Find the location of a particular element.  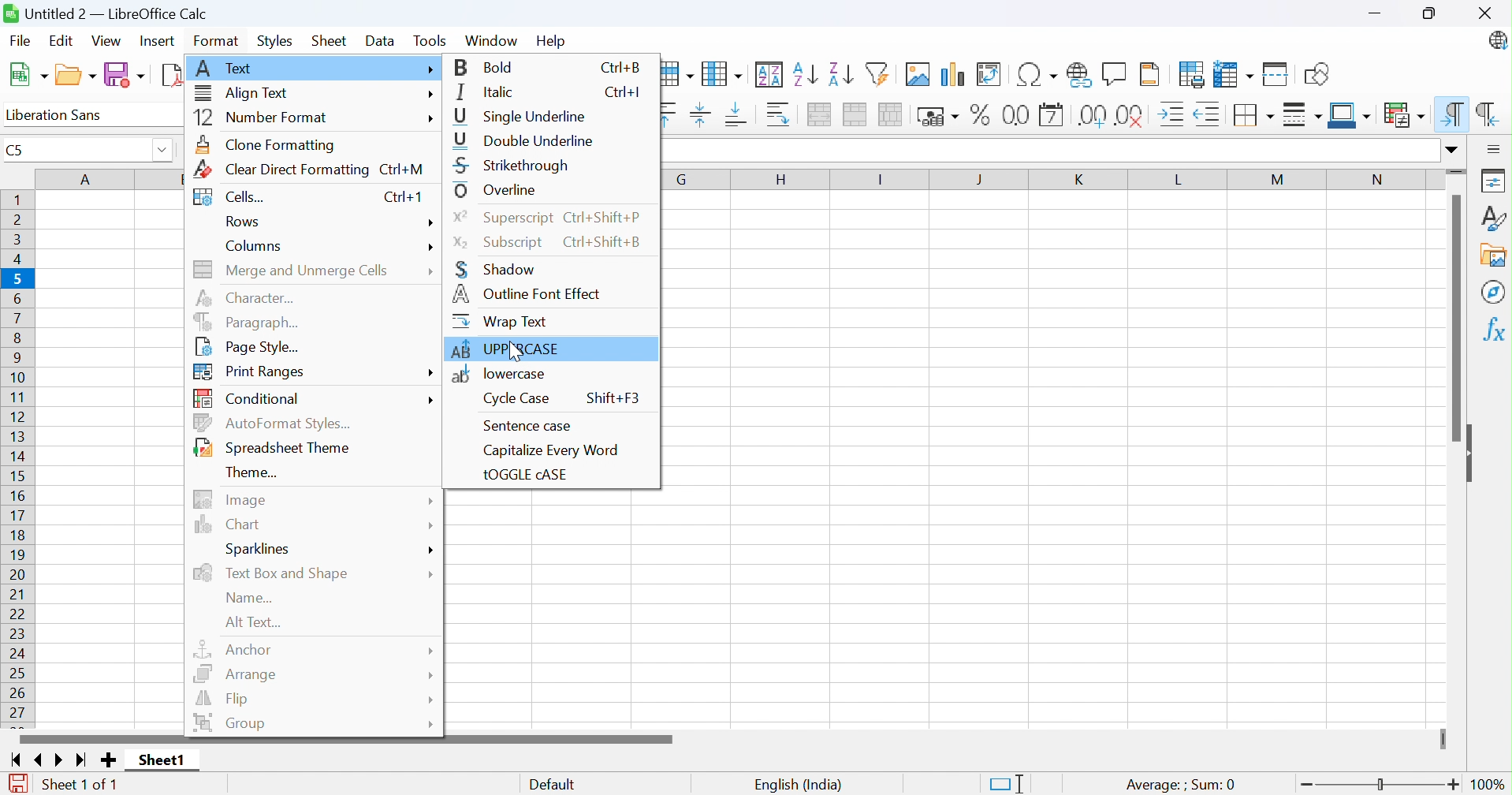

Wrap text is located at coordinates (779, 114).